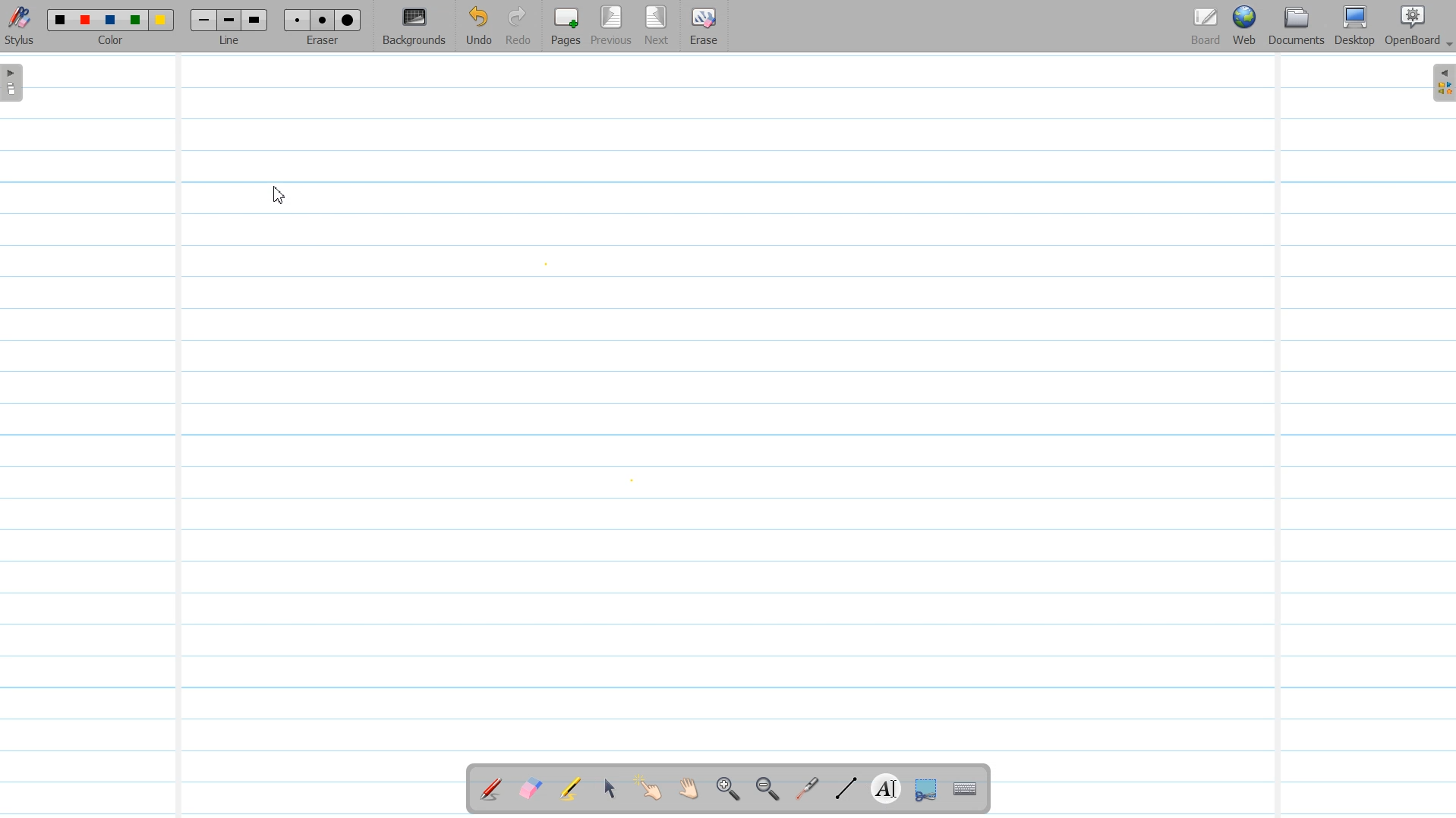 The image size is (1456, 818). I want to click on Pages, so click(564, 26).